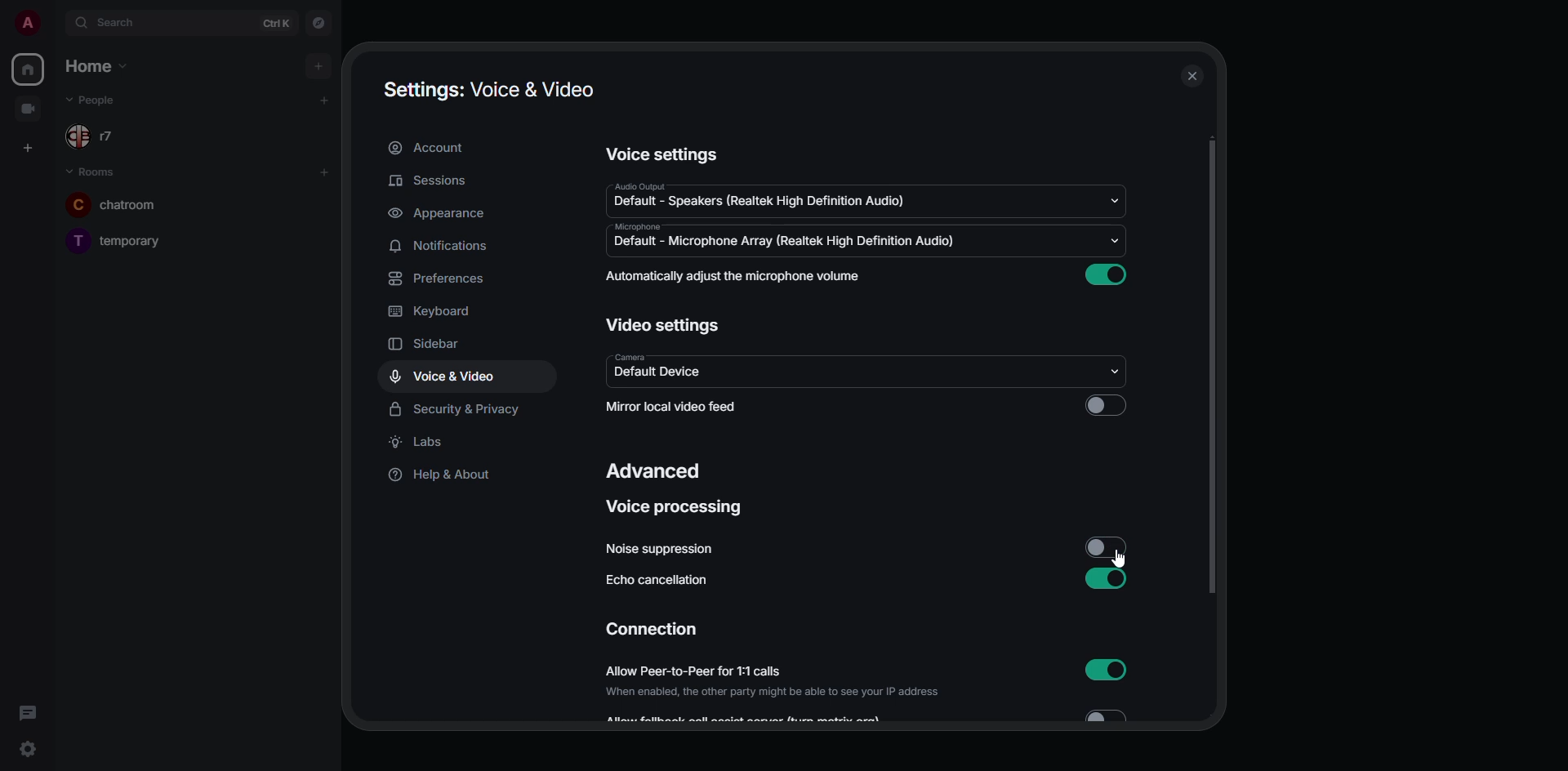 The height and width of the screenshot is (771, 1568). What do you see at coordinates (28, 713) in the screenshot?
I see `threads` at bounding box center [28, 713].